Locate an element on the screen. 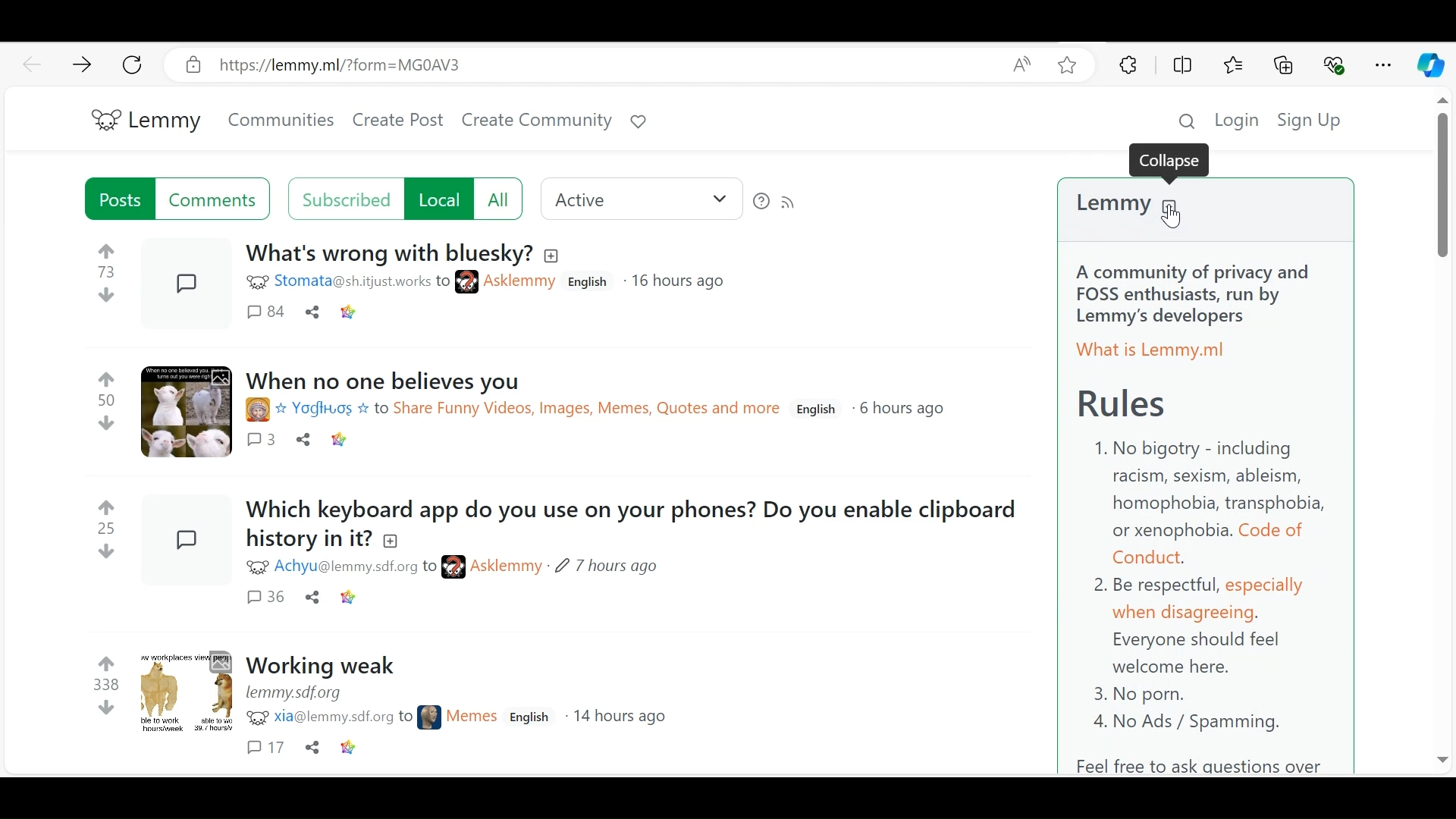  link is located at coordinates (354, 748).